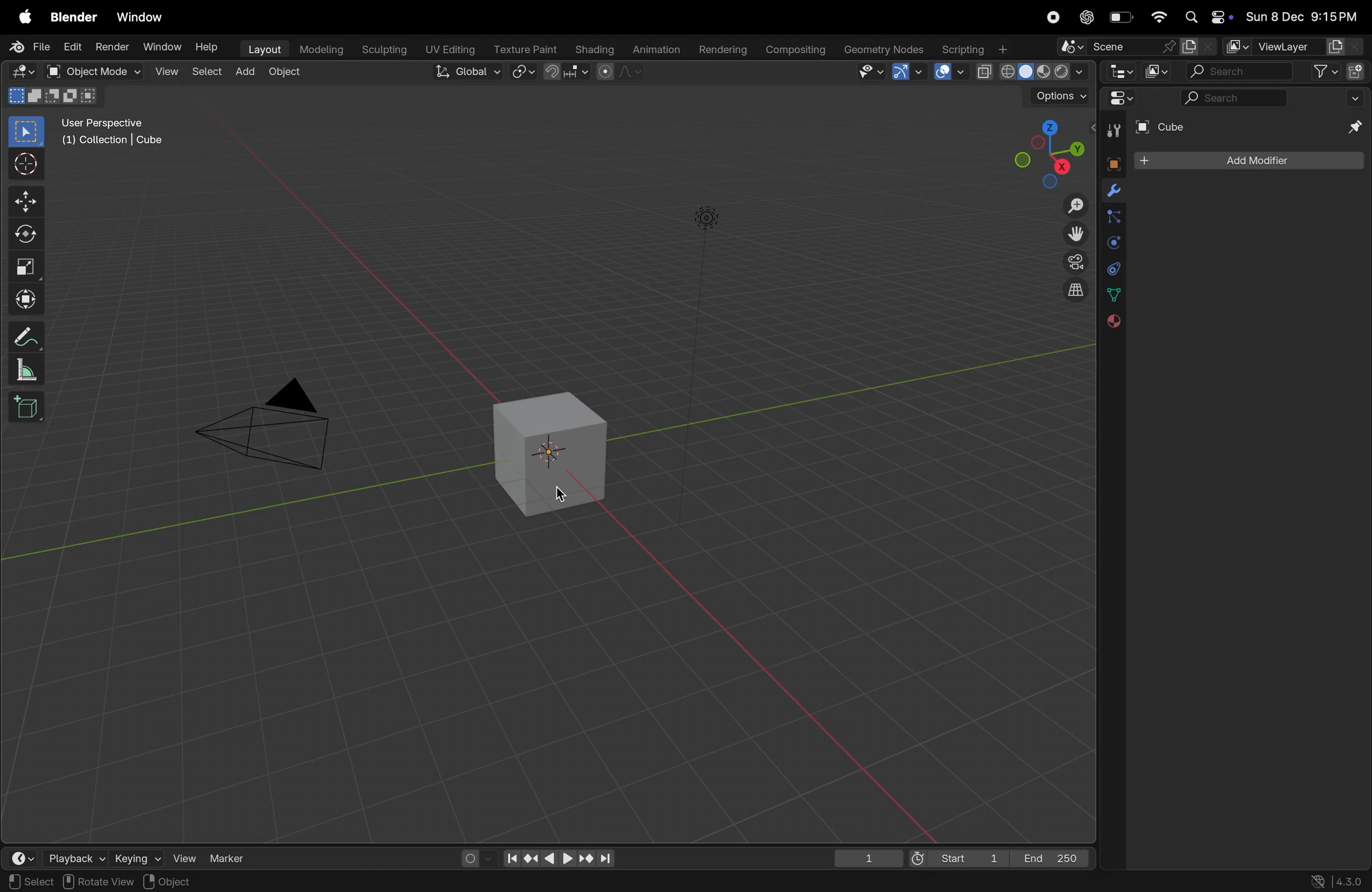 The height and width of the screenshot is (892, 1372). Describe the element at coordinates (233, 857) in the screenshot. I see `maker` at that location.